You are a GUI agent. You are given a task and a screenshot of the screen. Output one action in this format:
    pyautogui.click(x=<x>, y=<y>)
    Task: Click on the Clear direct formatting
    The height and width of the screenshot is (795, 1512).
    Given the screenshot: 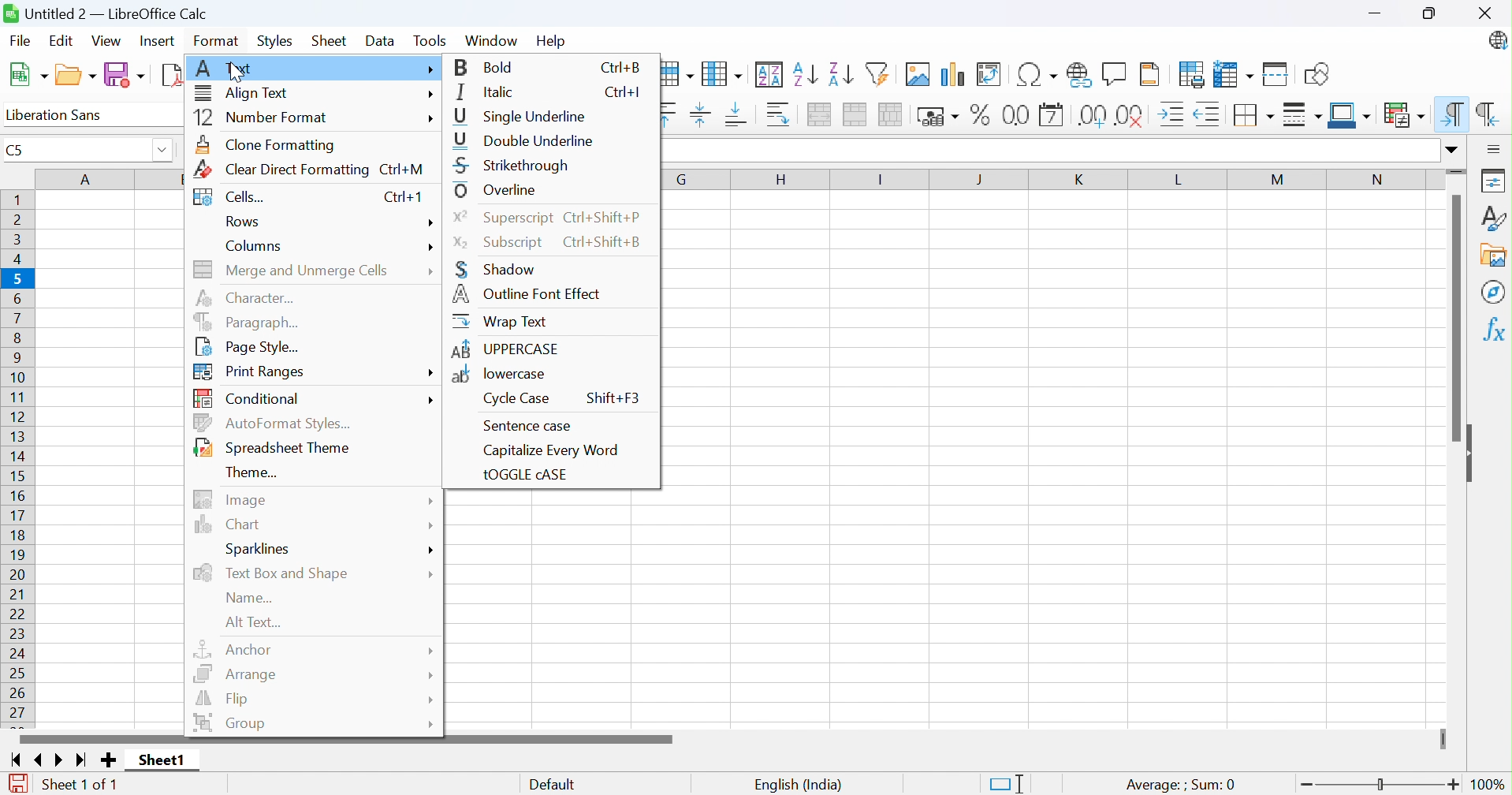 What is the action you would take?
    pyautogui.click(x=283, y=170)
    